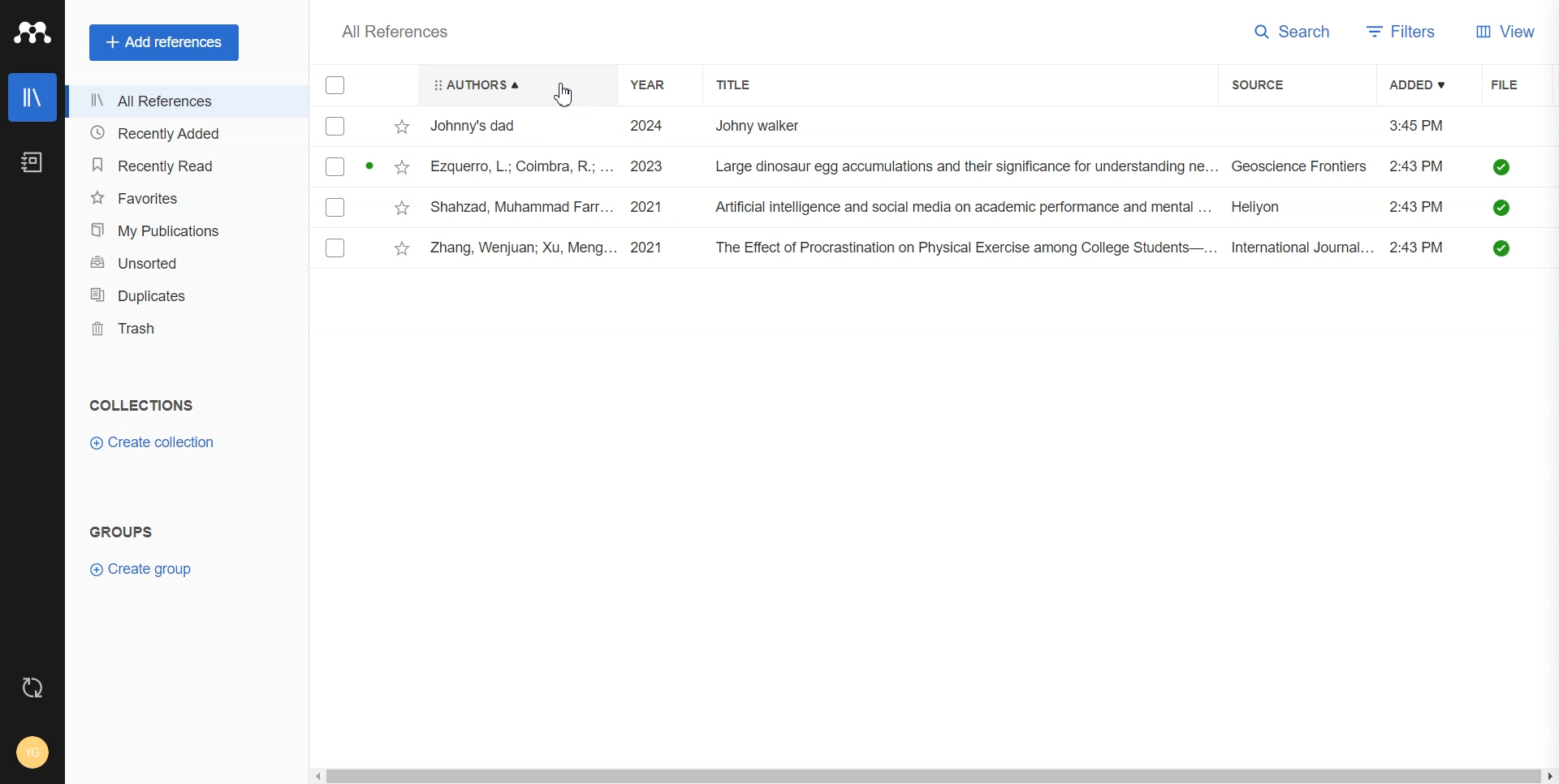 The height and width of the screenshot is (784, 1559). Describe the element at coordinates (965, 167) in the screenshot. I see `Large dinosaur egg accumulation and their significance for understanding` at that location.